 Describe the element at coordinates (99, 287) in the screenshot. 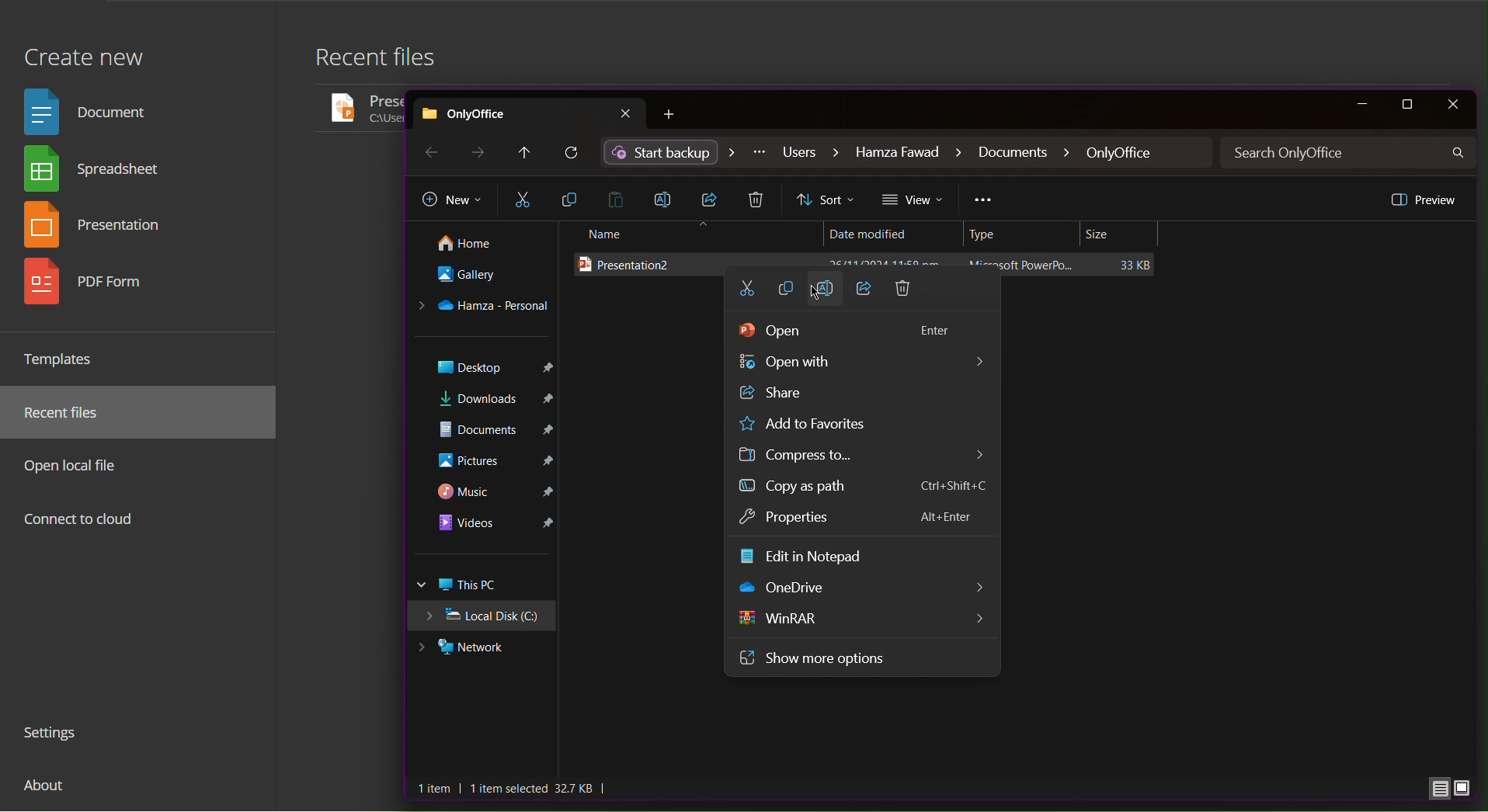

I see `PDF Form` at that location.